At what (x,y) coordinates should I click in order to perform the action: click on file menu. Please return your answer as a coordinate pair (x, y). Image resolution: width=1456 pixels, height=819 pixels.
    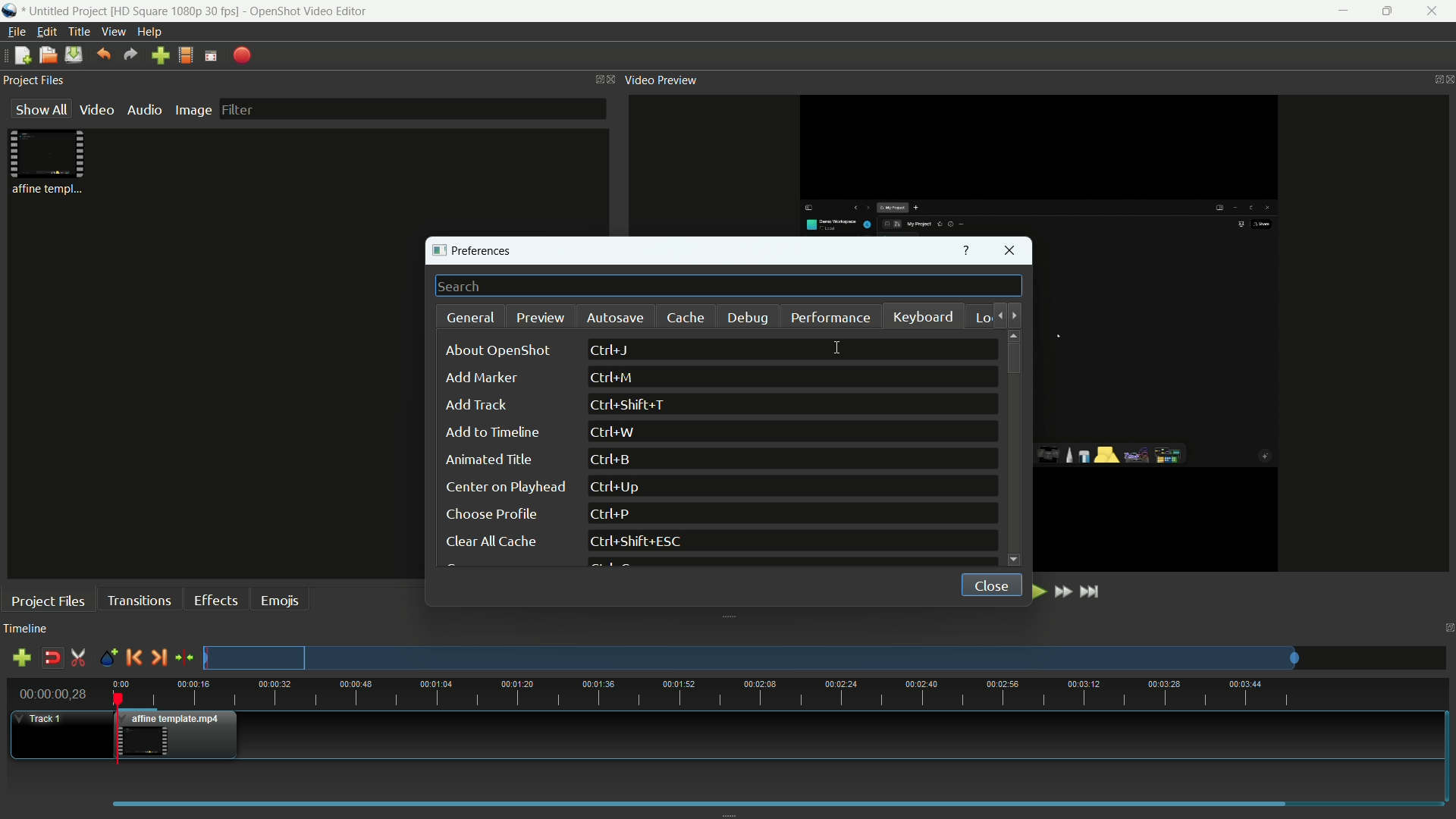
    Looking at the image, I should click on (15, 32).